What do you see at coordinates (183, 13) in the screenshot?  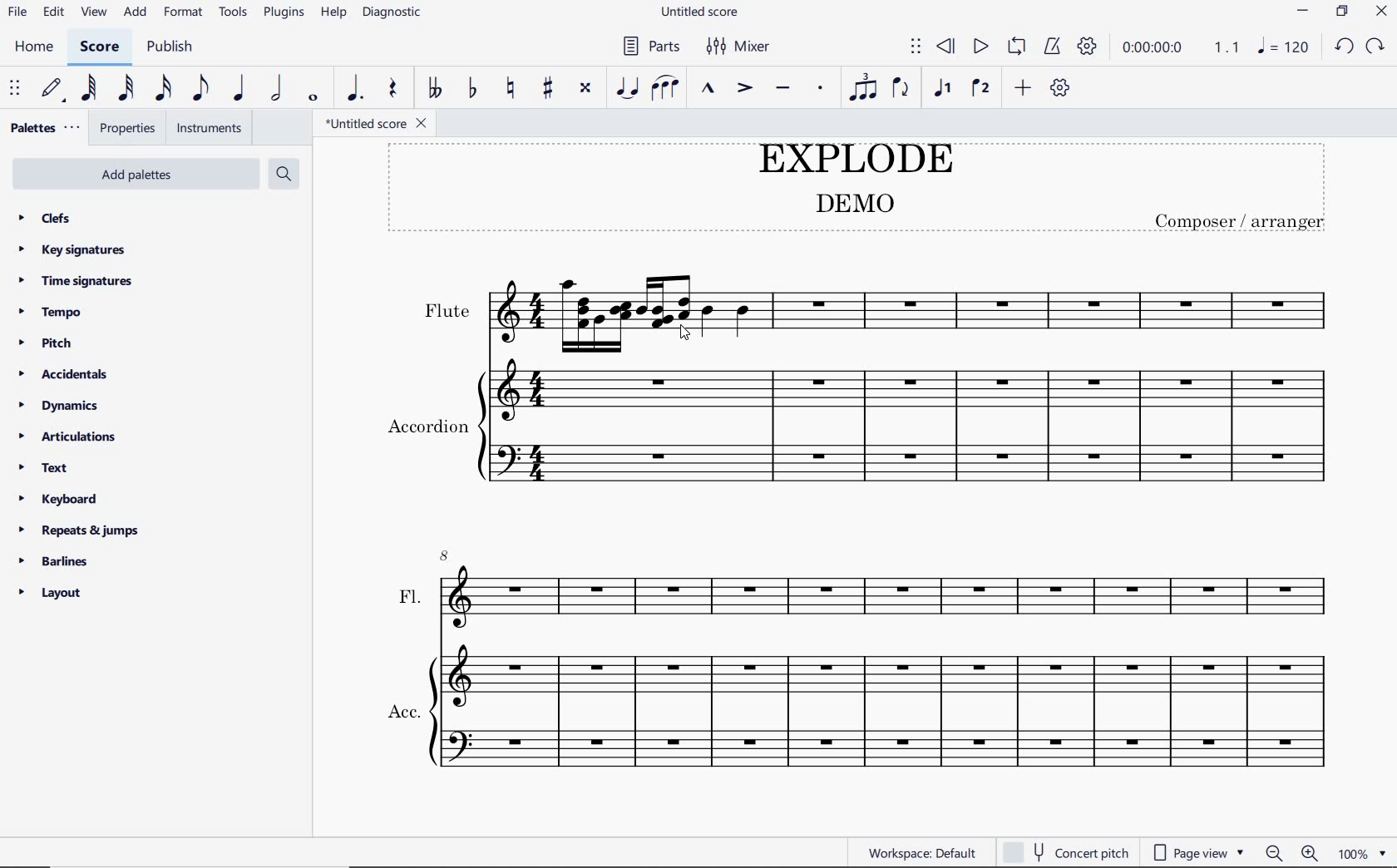 I see `format` at bounding box center [183, 13].